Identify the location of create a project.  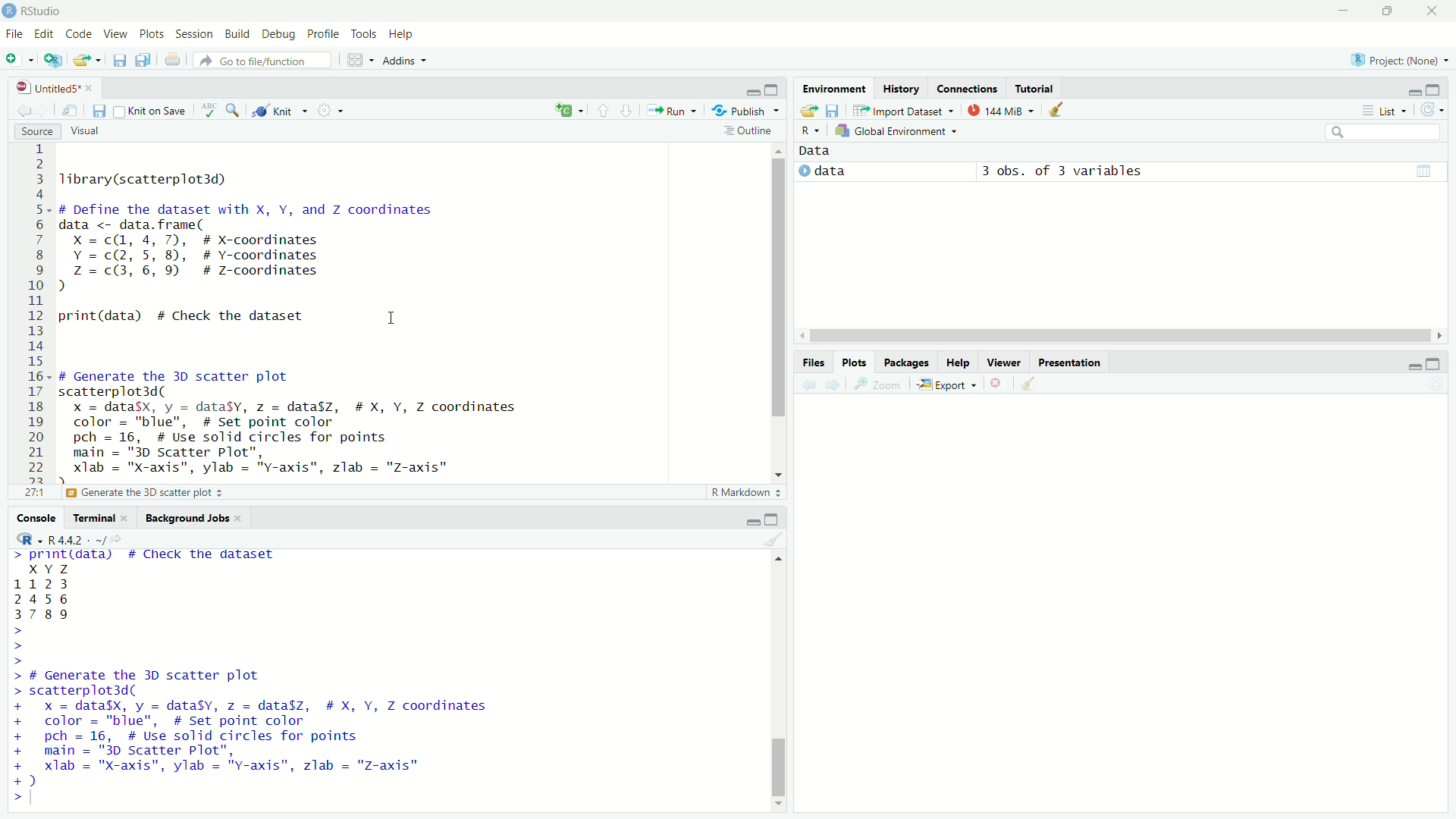
(51, 59).